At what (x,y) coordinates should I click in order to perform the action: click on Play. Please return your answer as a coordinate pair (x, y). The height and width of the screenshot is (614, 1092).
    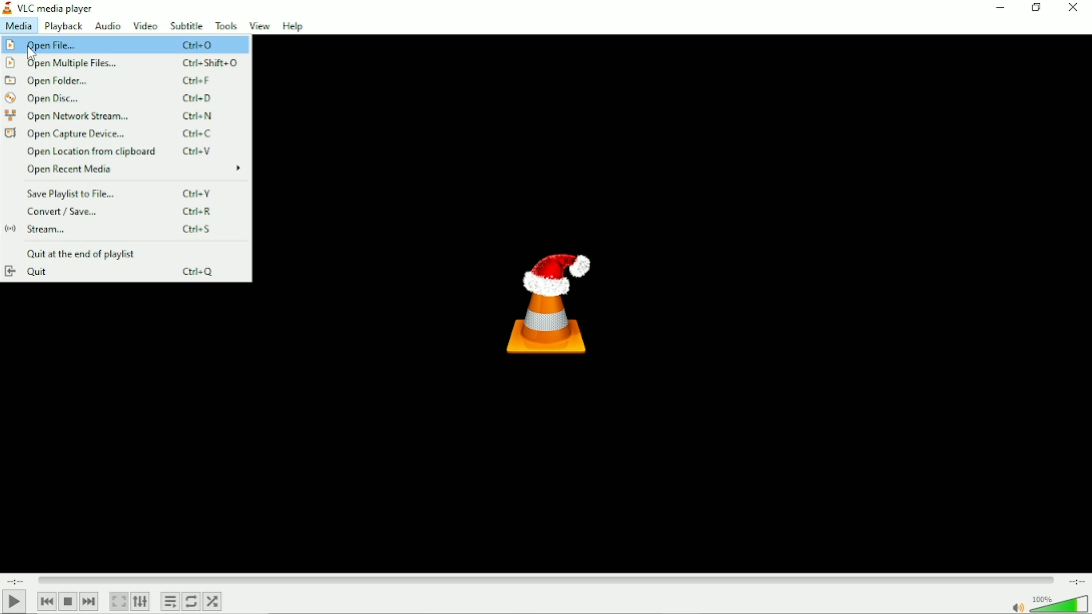
    Looking at the image, I should click on (15, 602).